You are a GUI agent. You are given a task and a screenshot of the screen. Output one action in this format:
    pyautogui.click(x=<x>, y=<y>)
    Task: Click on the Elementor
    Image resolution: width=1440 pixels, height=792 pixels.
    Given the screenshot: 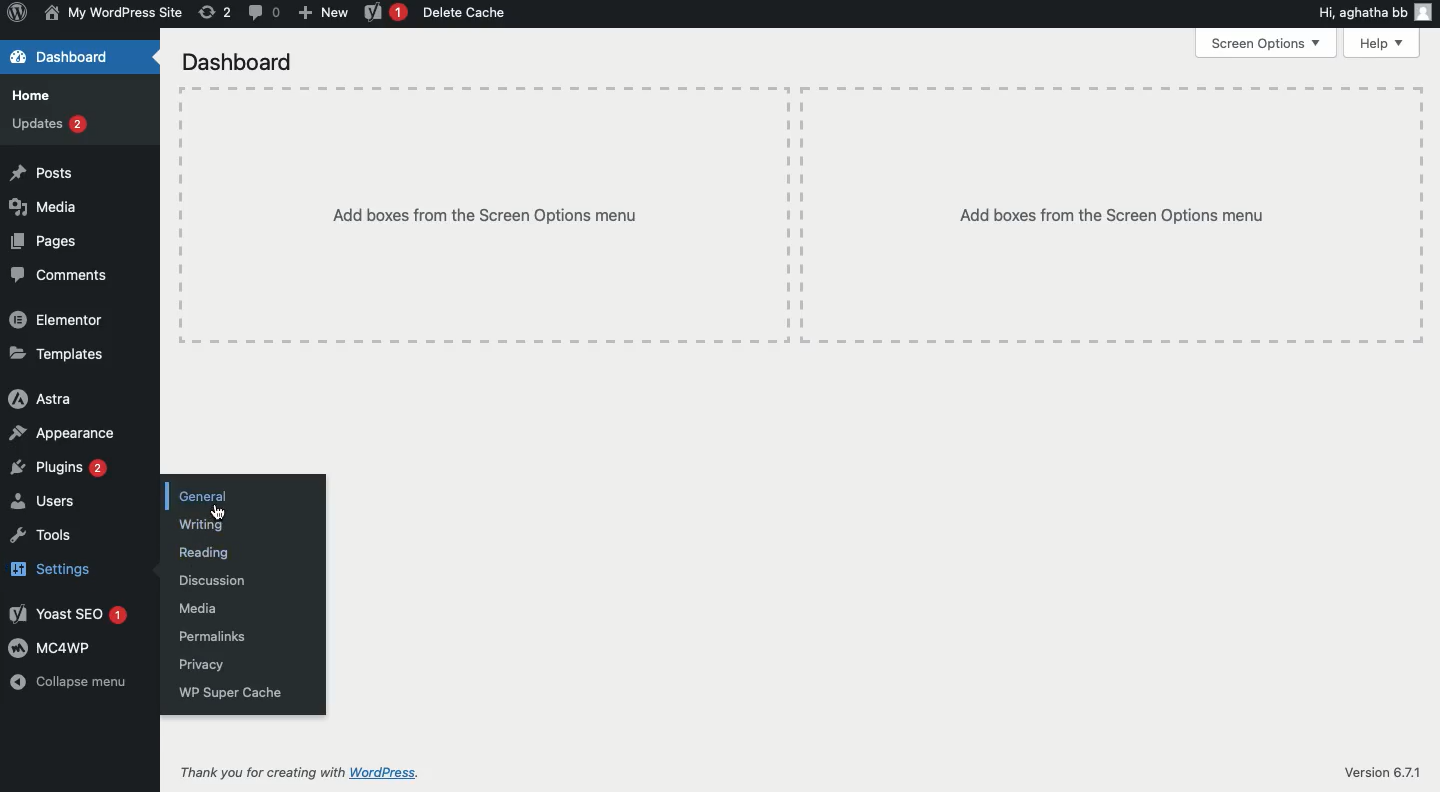 What is the action you would take?
    pyautogui.click(x=57, y=320)
    